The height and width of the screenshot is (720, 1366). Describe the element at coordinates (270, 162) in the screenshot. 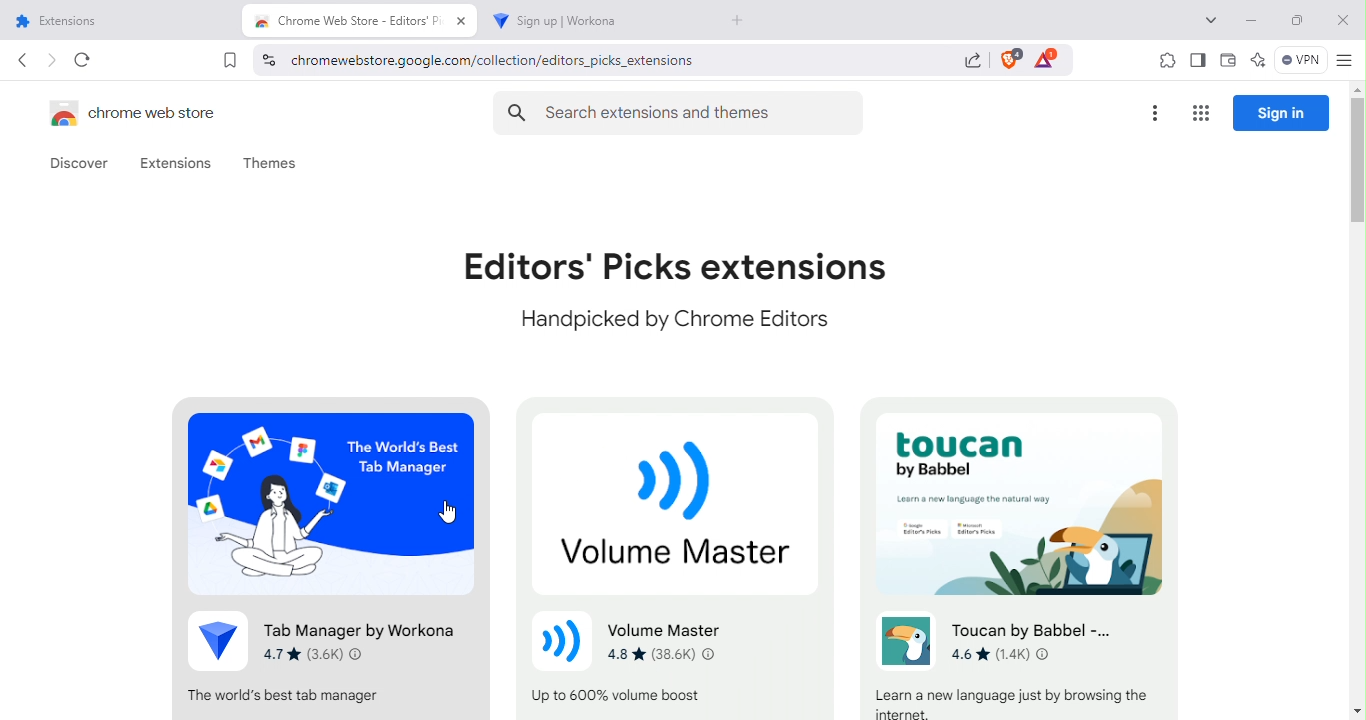

I see `Themes` at that location.